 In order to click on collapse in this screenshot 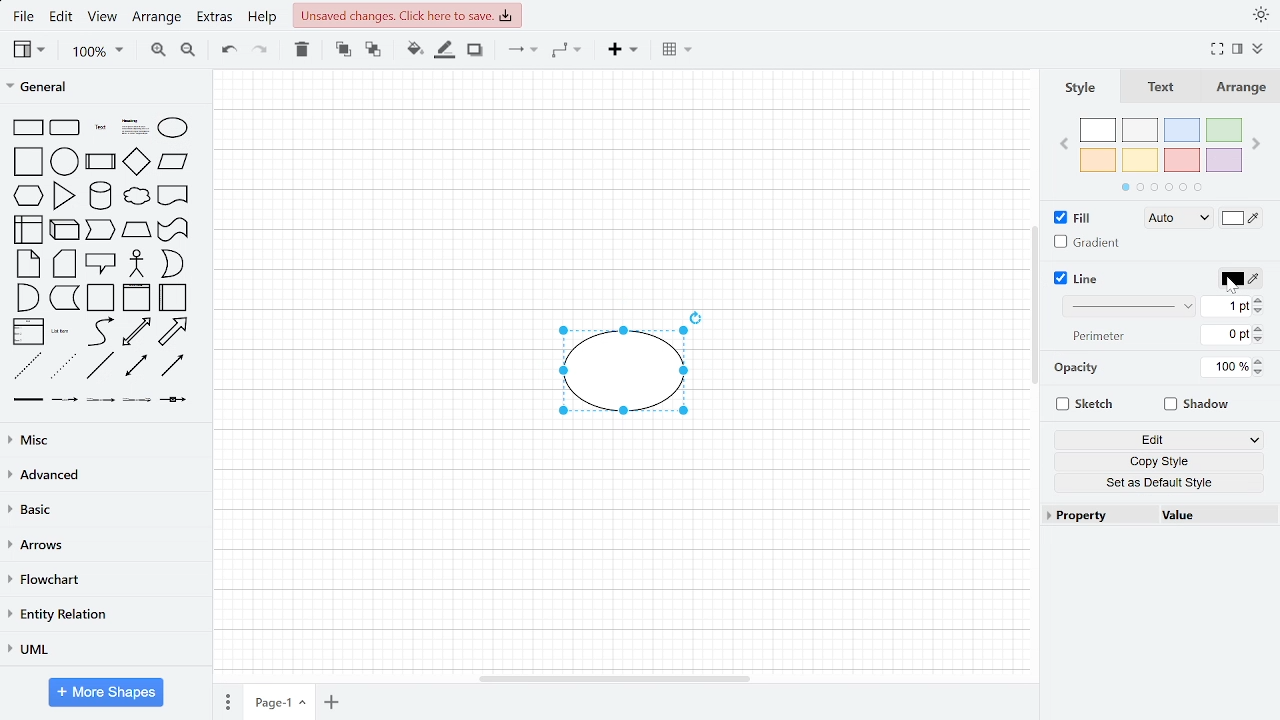, I will do `click(1258, 49)`.